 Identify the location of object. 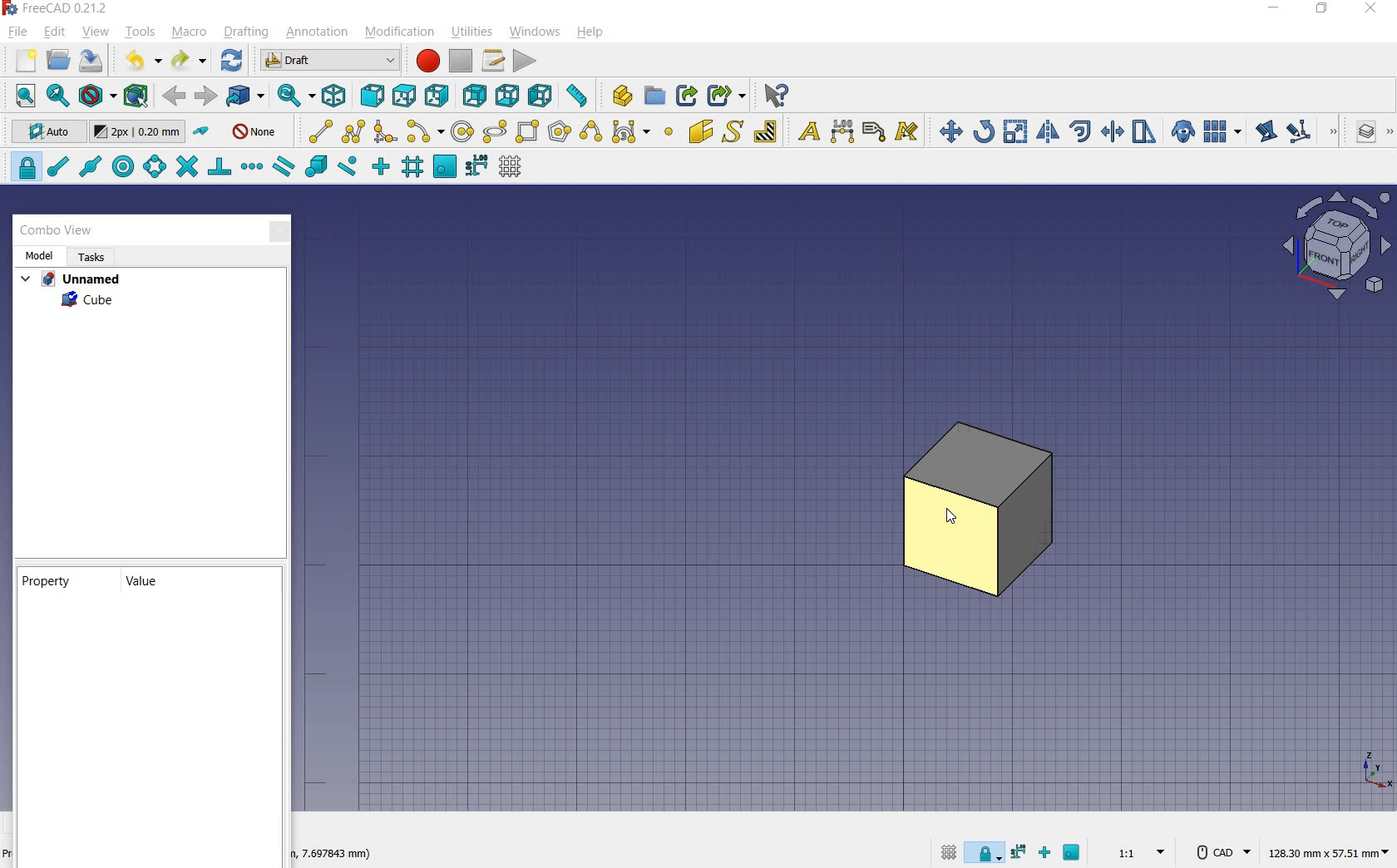
(976, 510).